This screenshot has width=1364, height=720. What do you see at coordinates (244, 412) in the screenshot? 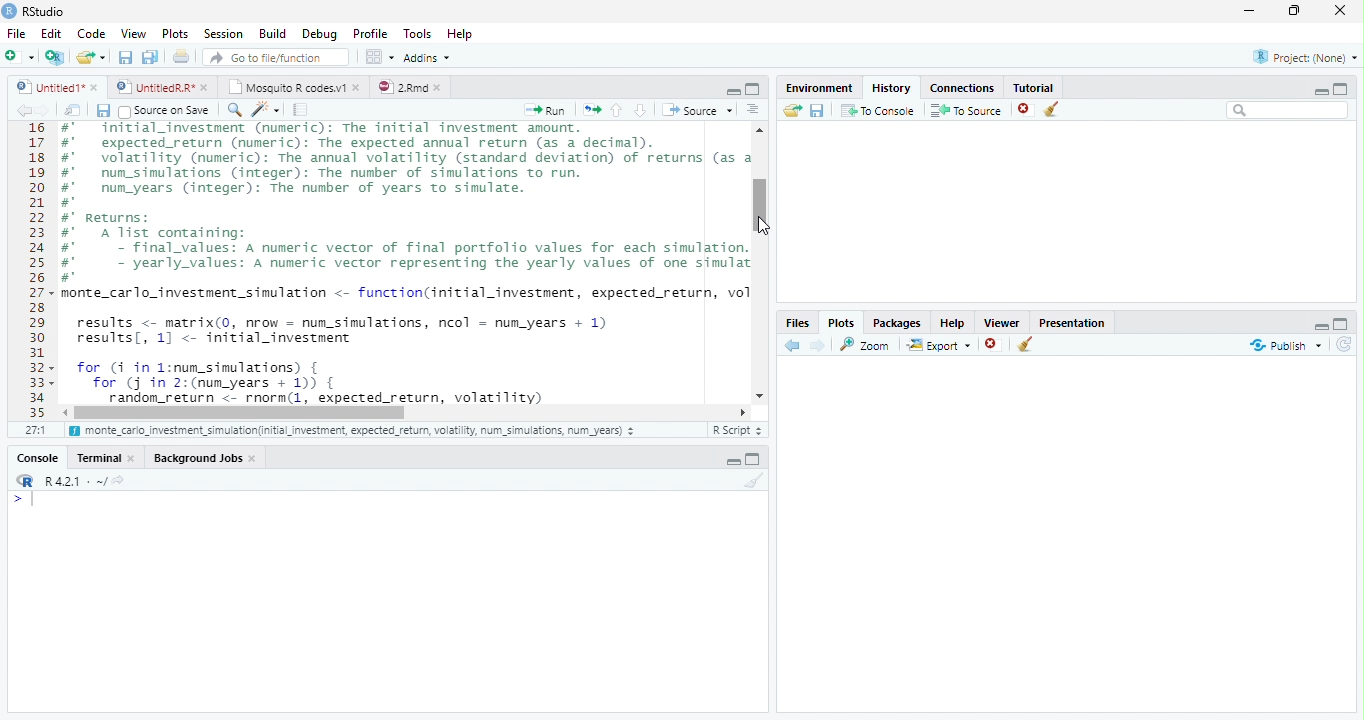
I see `Scroll bar` at bounding box center [244, 412].